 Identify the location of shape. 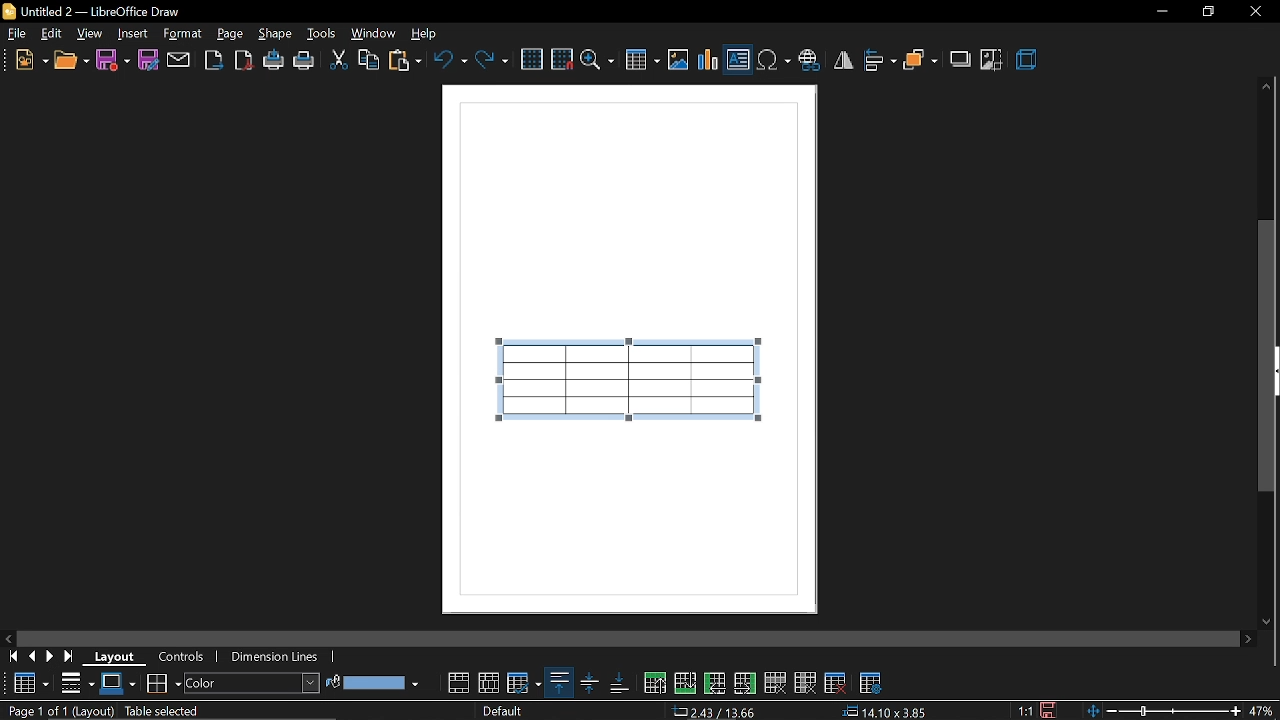
(275, 33).